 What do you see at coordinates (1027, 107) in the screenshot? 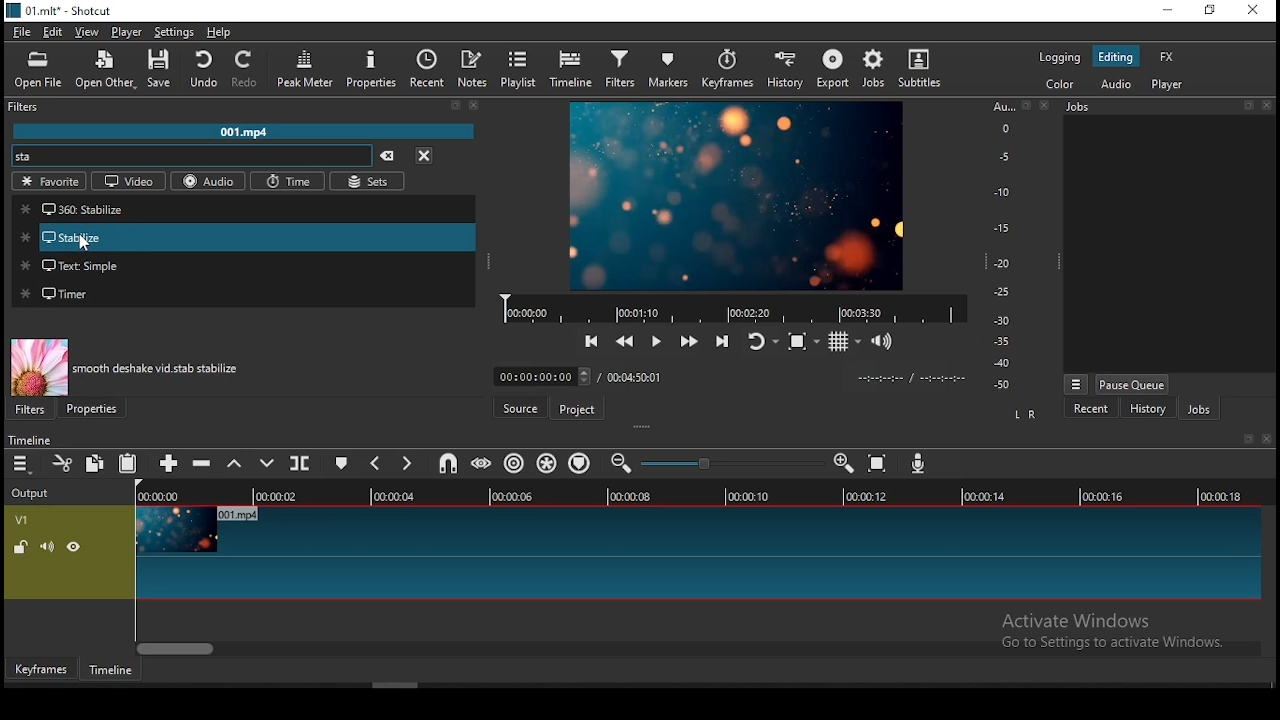
I see `fullscreen` at bounding box center [1027, 107].